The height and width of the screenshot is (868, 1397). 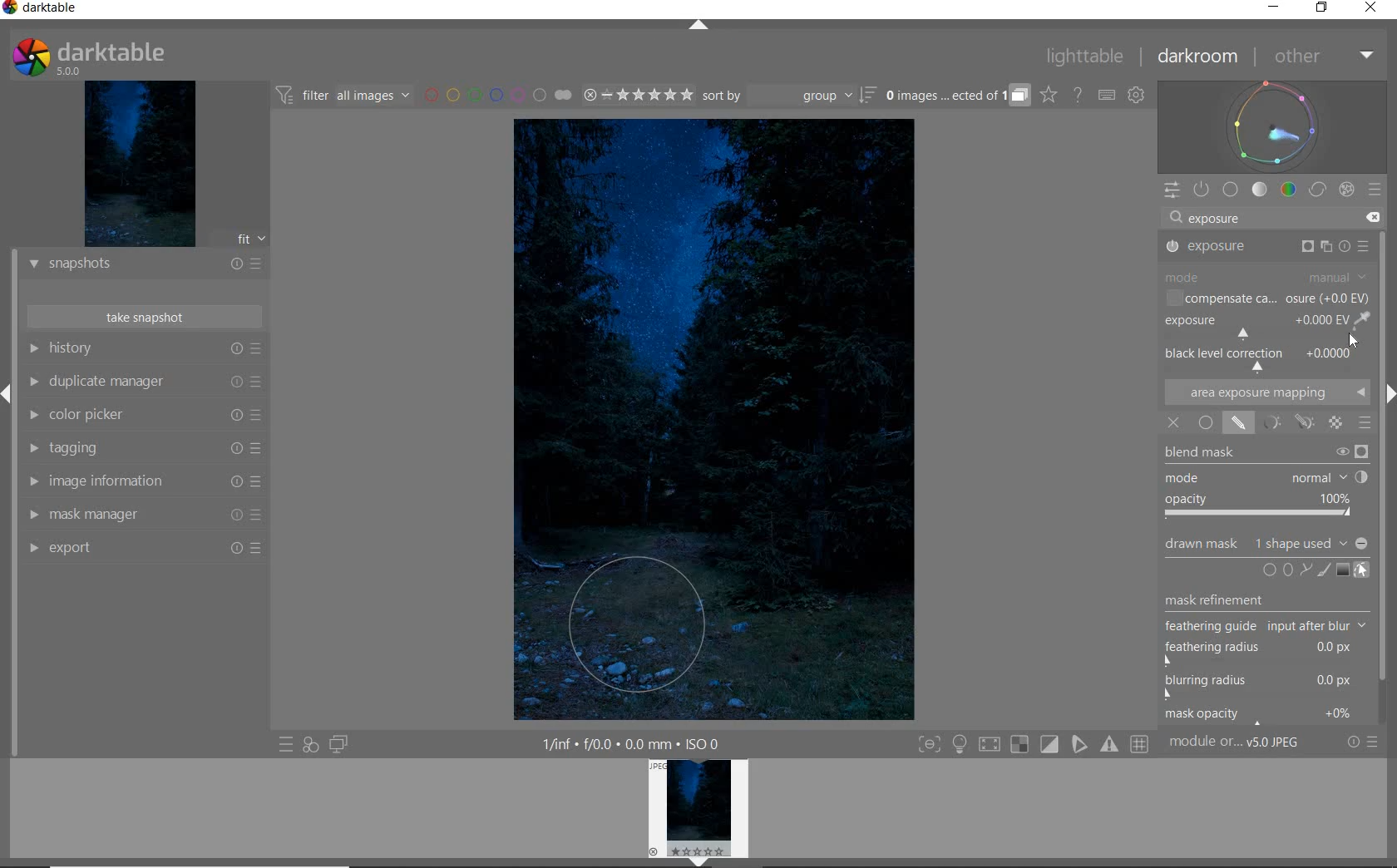 What do you see at coordinates (1365, 423) in the screenshot?
I see `BLENDING OPTIONS` at bounding box center [1365, 423].